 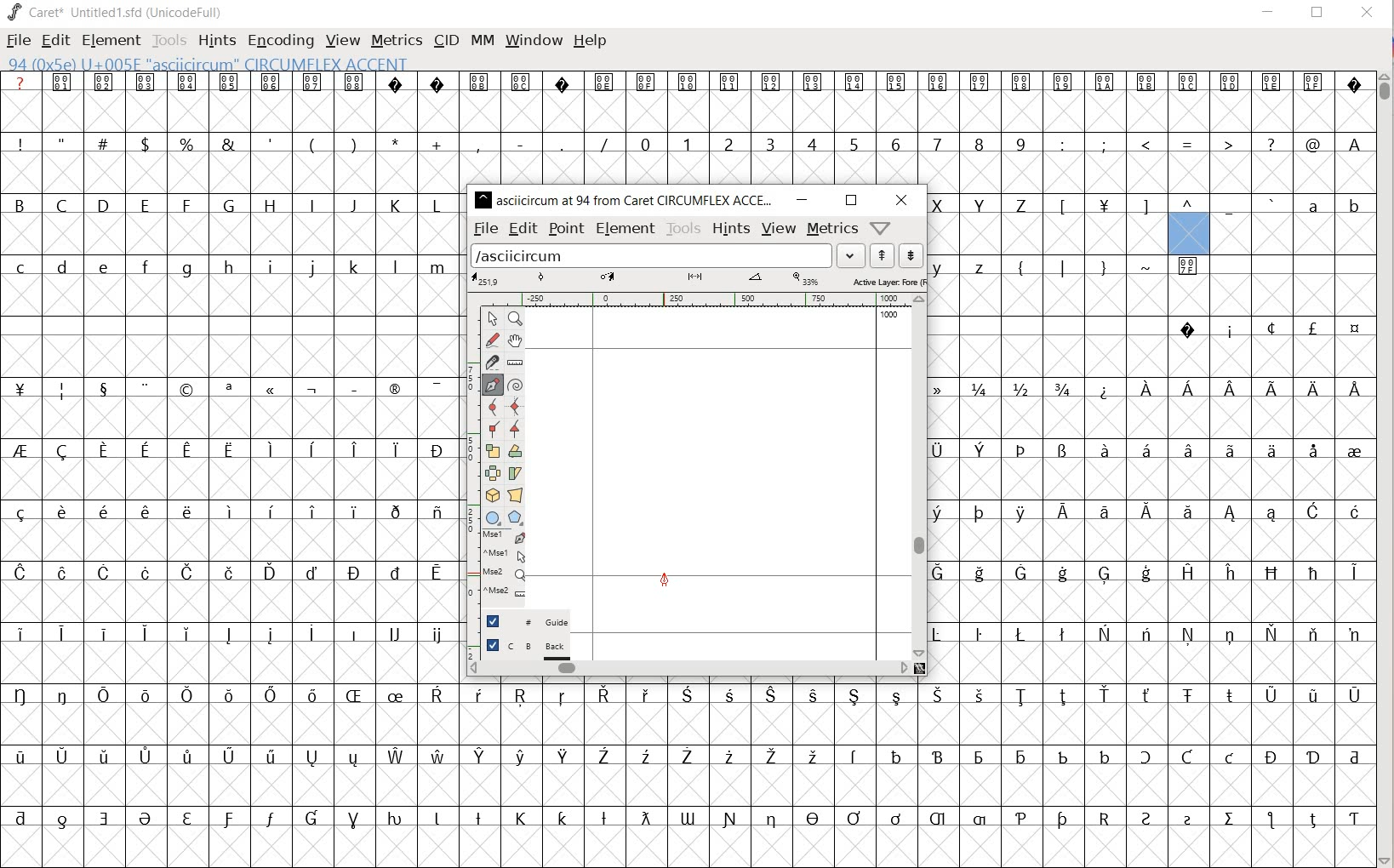 I want to click on add a curve point always either horizontal or vertical, so click(x=515, y=407).